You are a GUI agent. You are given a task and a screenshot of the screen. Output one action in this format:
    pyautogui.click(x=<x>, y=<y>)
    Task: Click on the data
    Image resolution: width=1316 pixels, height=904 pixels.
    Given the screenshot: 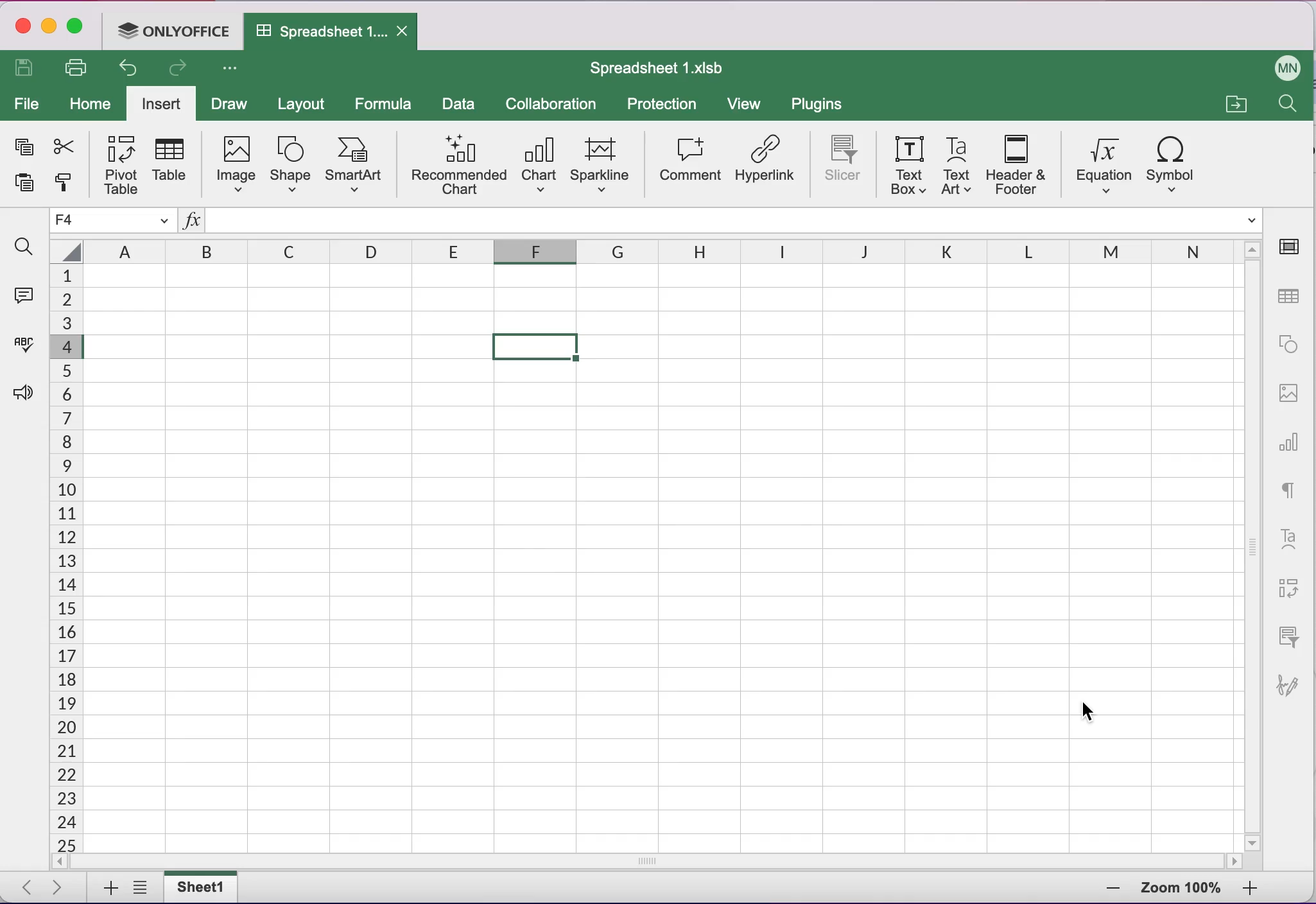 What is the action you would take?
    pyautogui.click(x=461, y=105)
    